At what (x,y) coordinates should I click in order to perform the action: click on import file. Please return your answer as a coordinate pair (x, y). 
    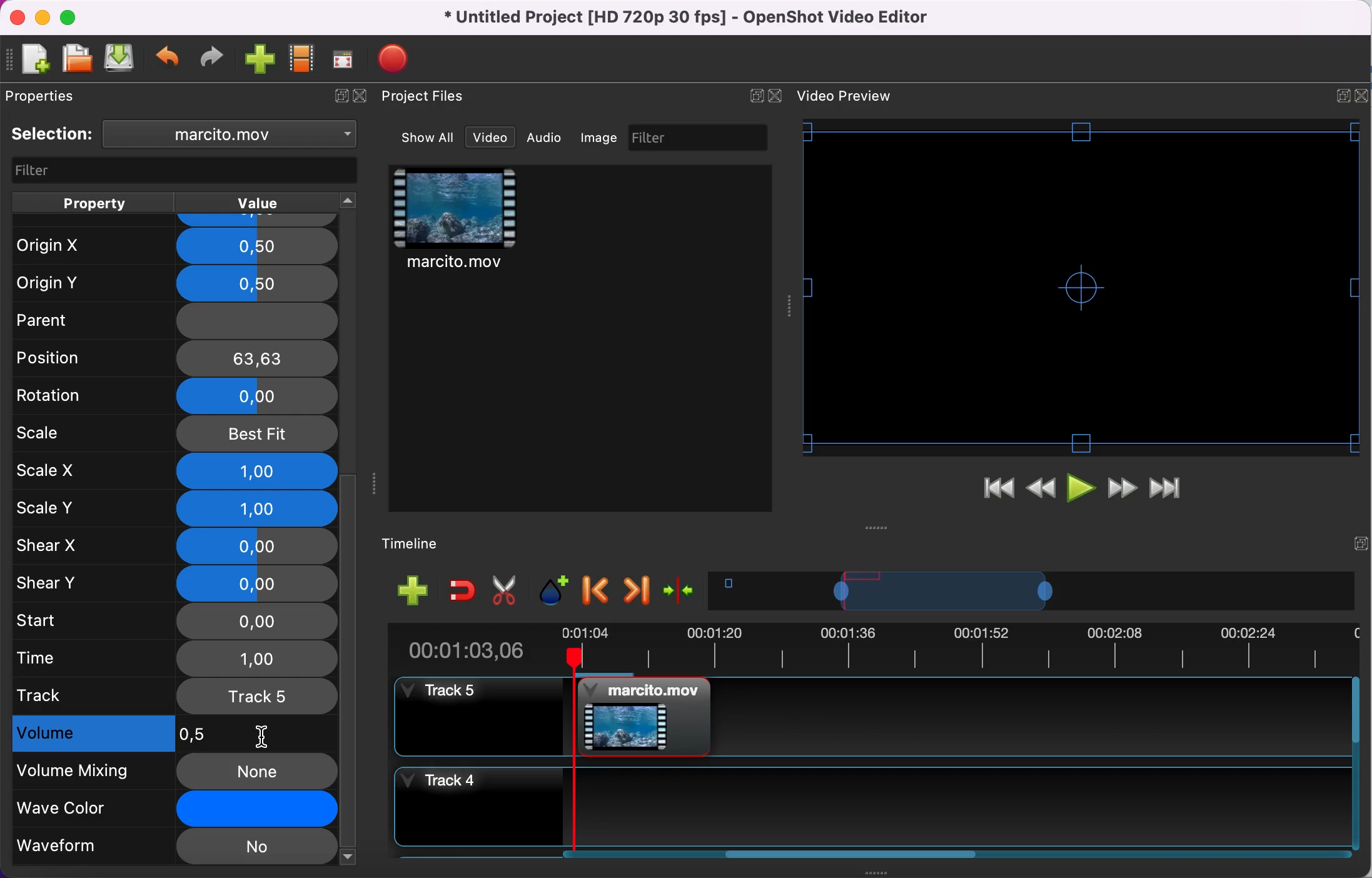
    Looking at the image, I should click on (261, 60).